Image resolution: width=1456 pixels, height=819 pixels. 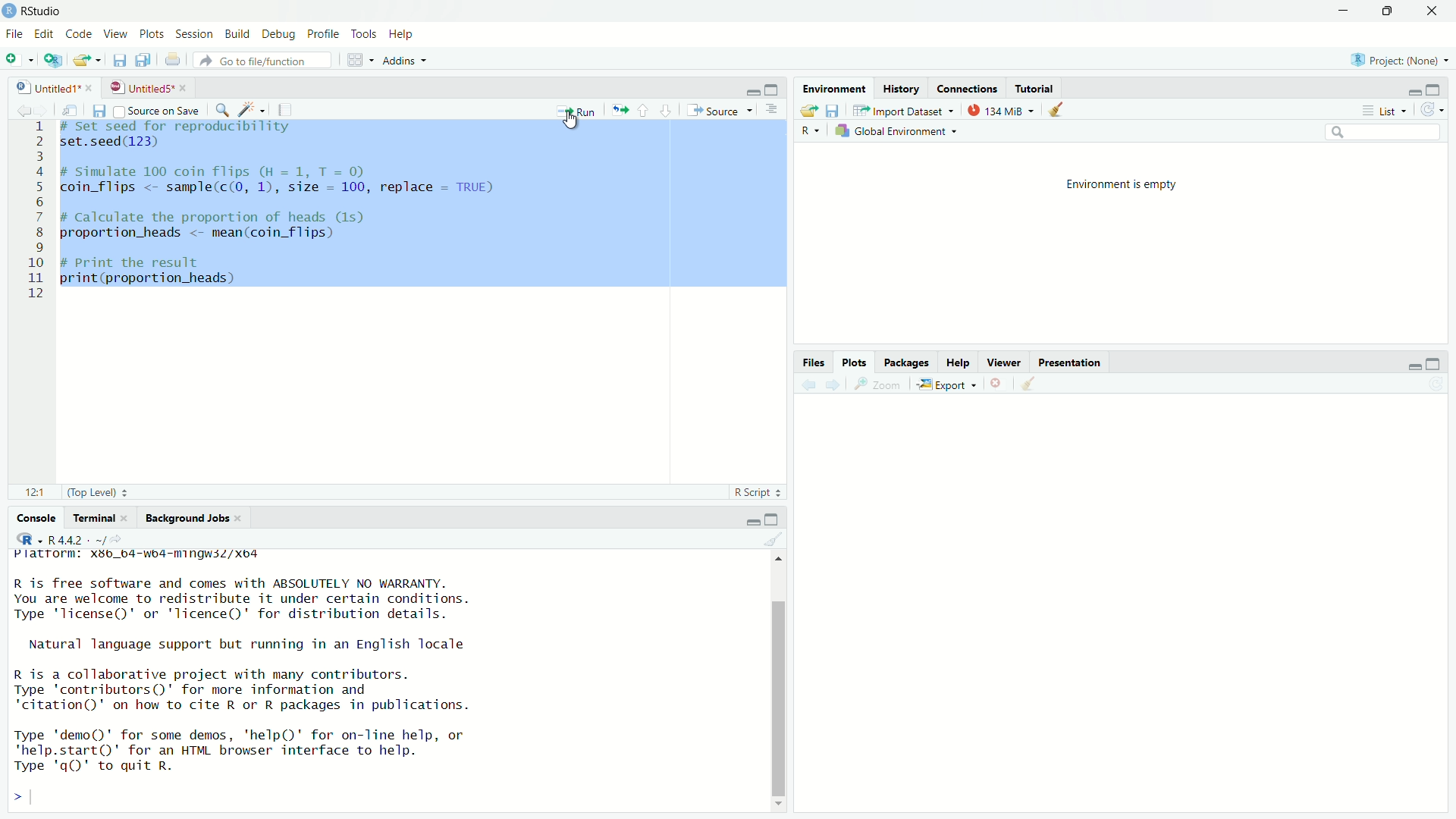 I want to click on set.seed(123), so click(x=117, y=143).